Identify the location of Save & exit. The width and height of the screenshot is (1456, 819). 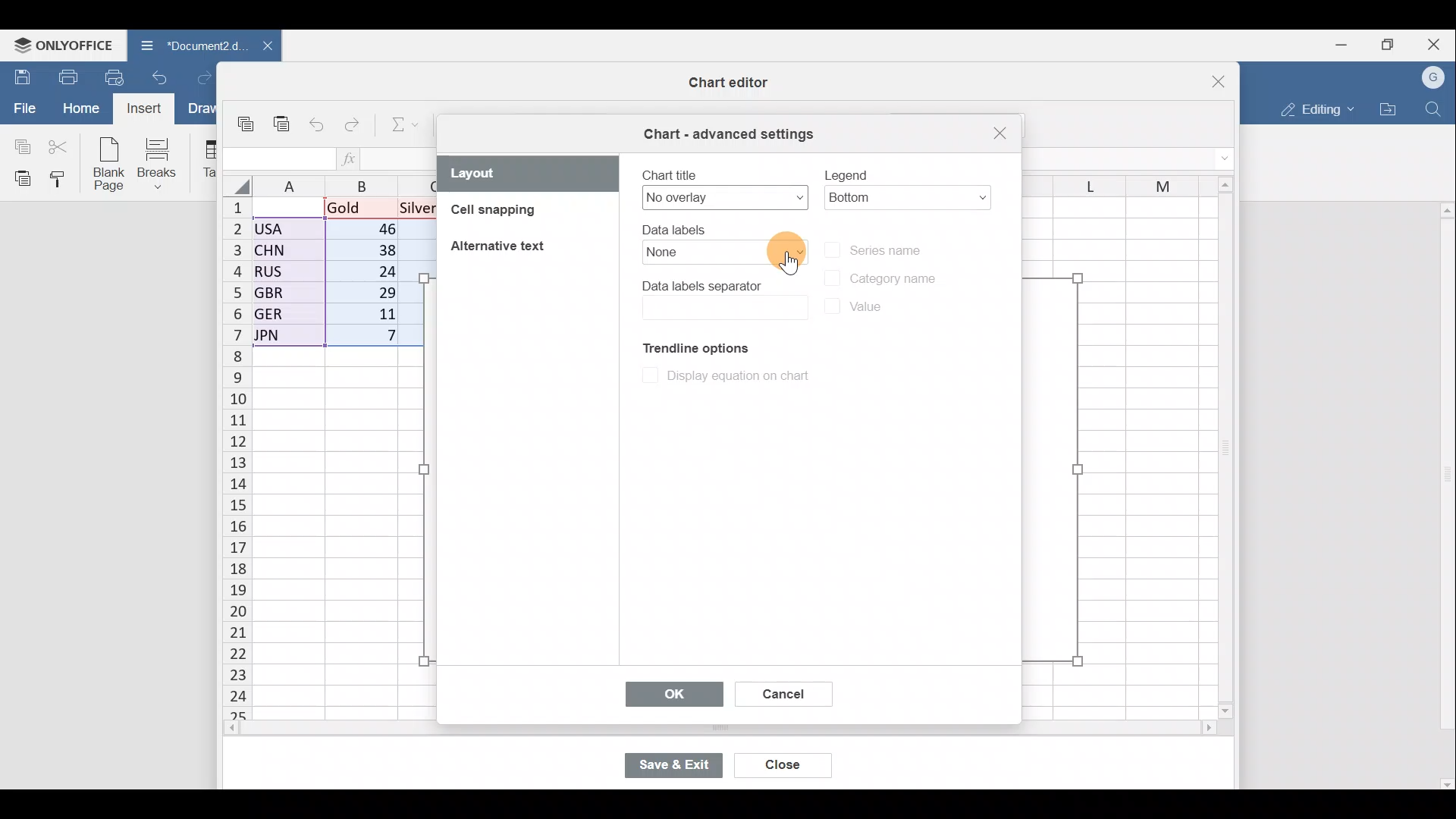
(682, 767).